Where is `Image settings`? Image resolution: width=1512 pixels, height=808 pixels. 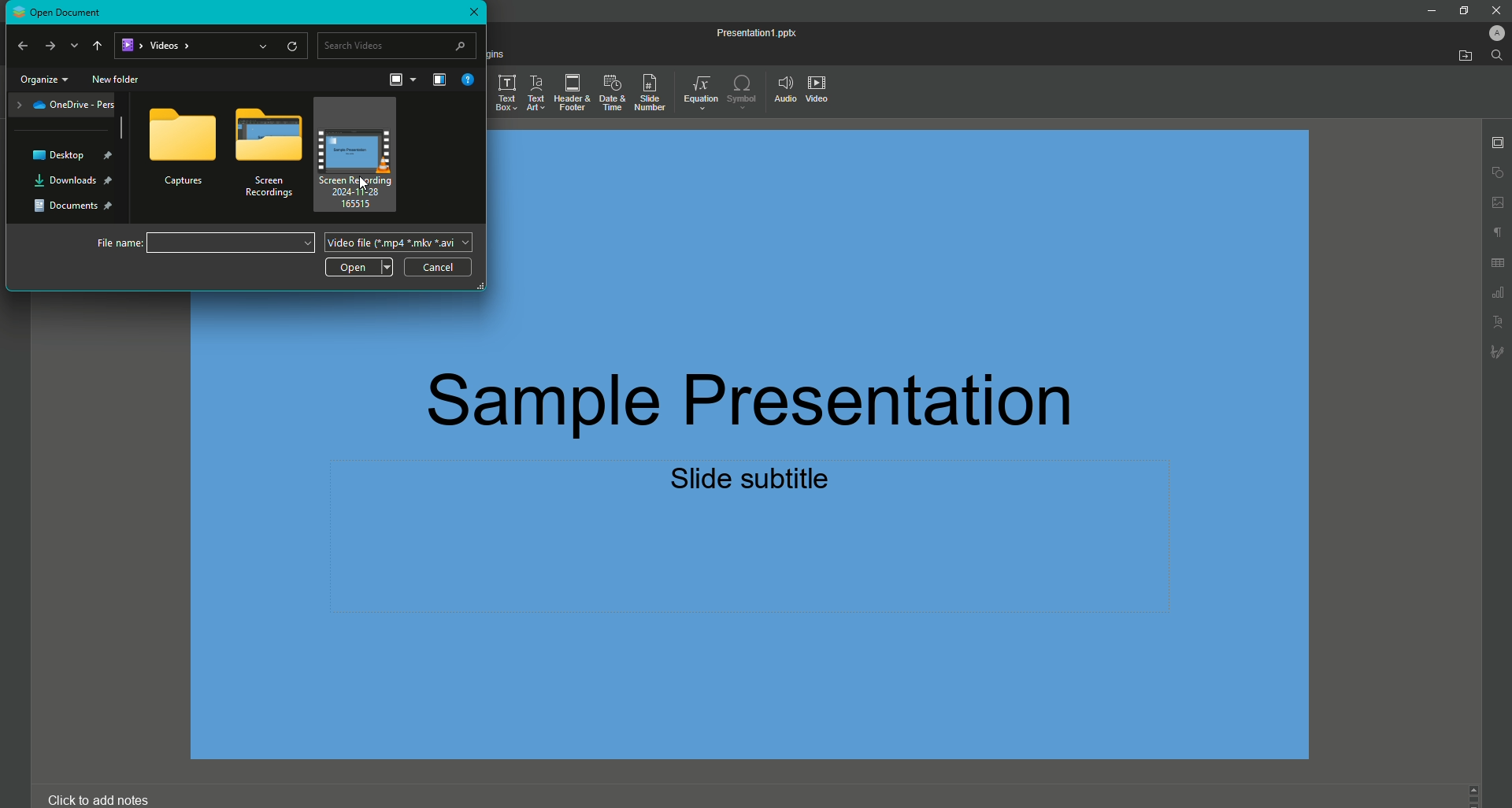 Image settings is located at coordinates (1495, 202).